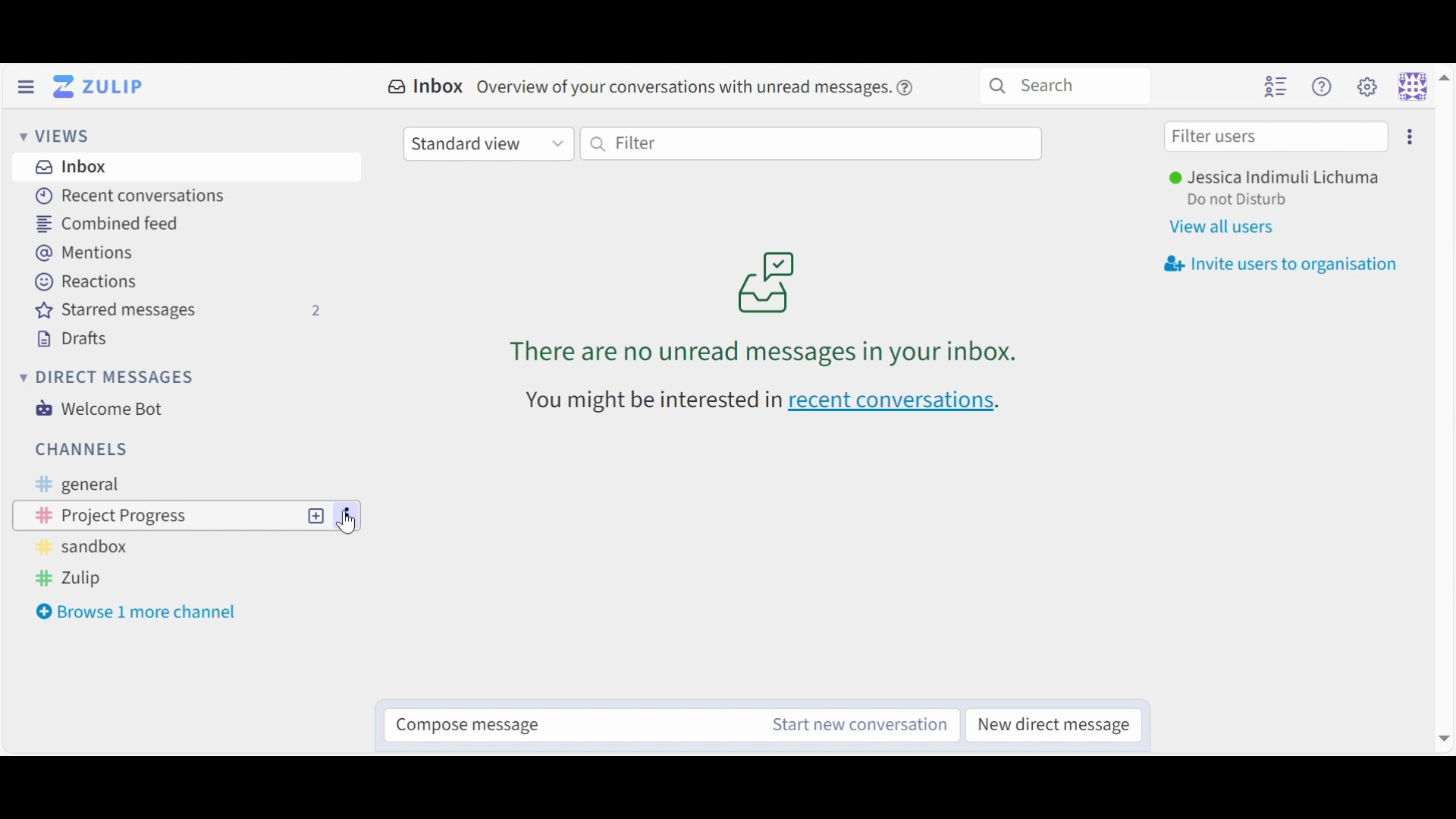 This screenshot has width=1456, height=819. Describe the element at coordinates (217, 529) in the screenshot. I see `Cursor` at that location.